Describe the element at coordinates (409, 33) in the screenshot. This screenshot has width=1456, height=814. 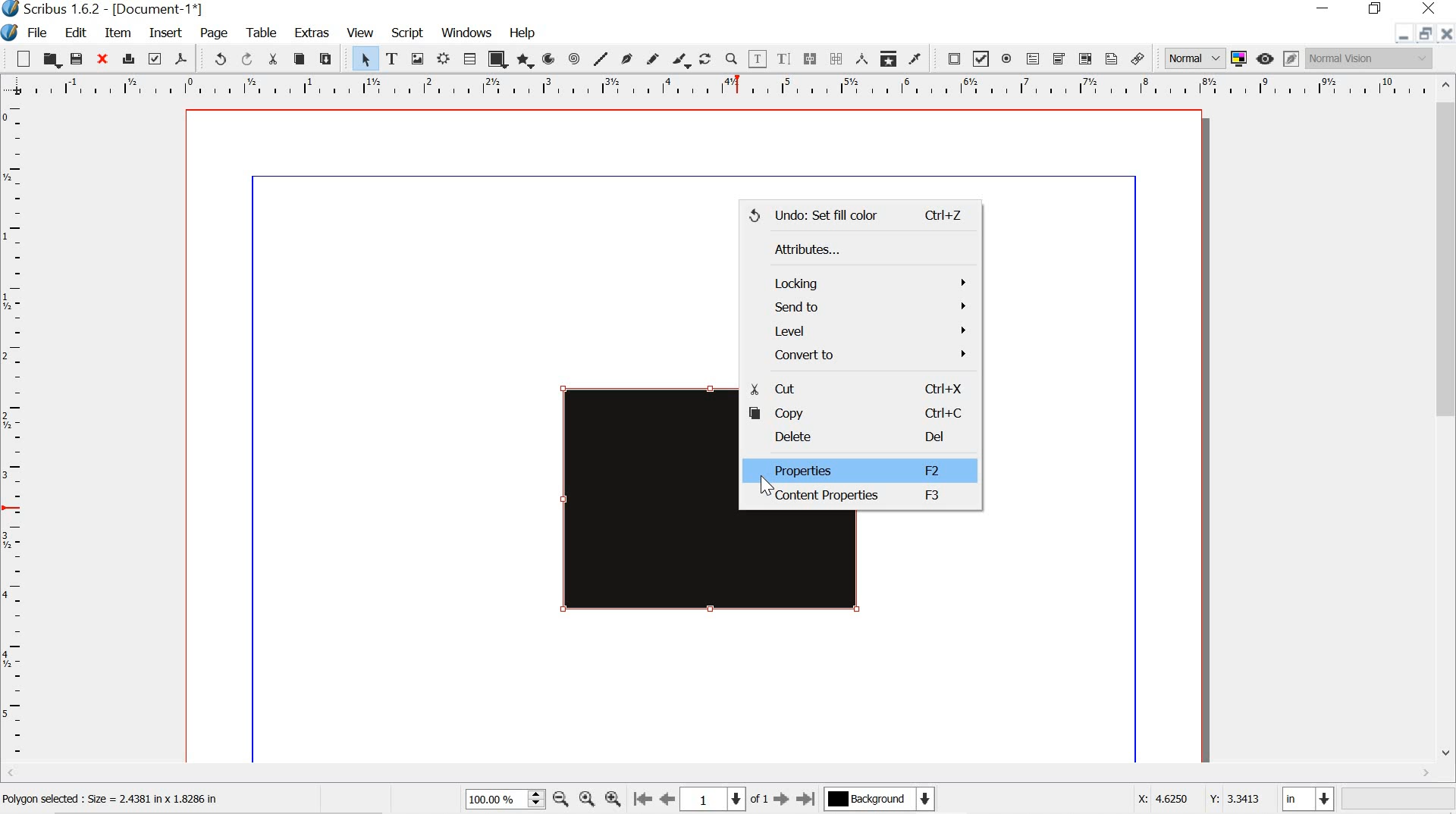
I see `script` at that location.